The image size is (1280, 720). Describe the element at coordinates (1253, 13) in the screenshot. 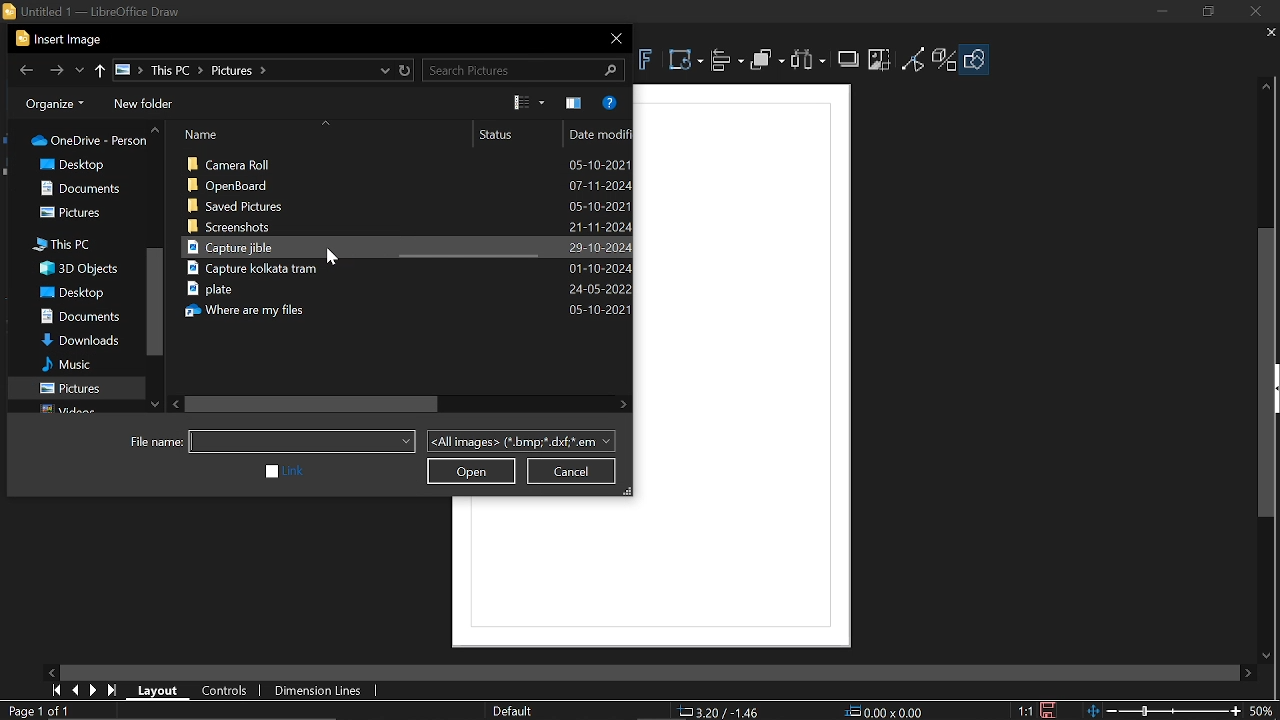

I see `Close` at that location.